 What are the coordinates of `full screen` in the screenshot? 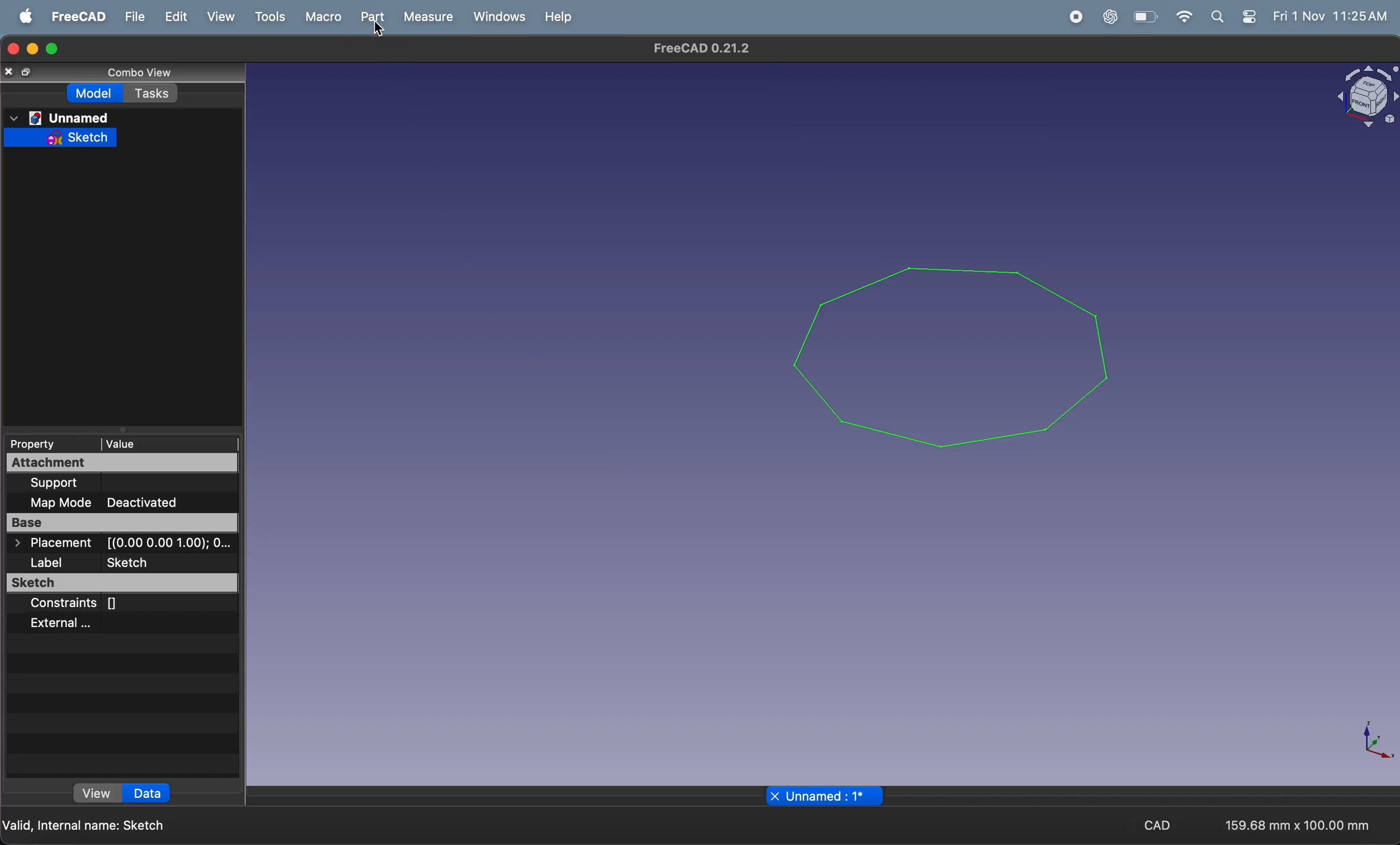 It's located at (30, 72).